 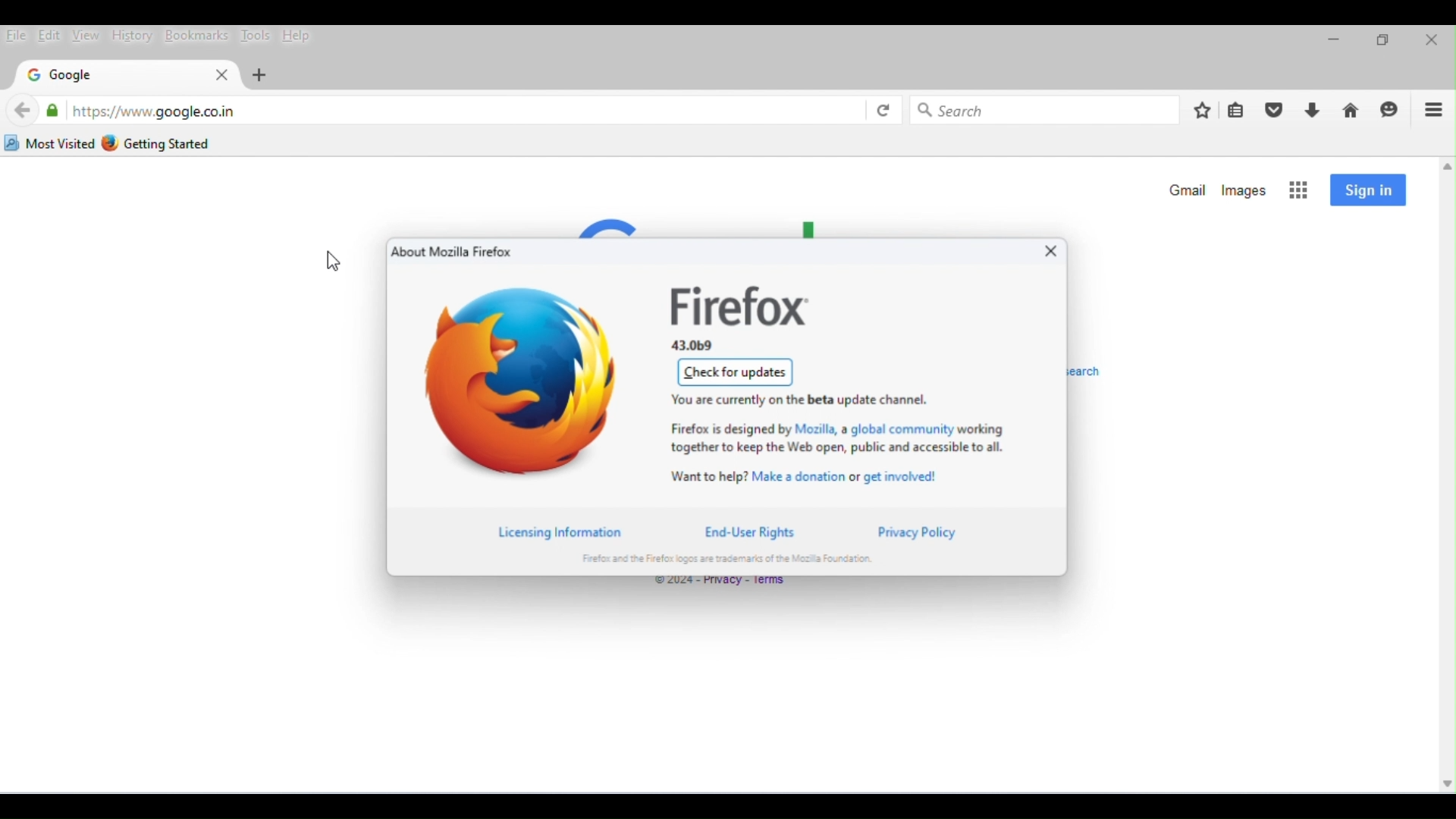 I want to click on sign in, so click(x=1368, y=190).